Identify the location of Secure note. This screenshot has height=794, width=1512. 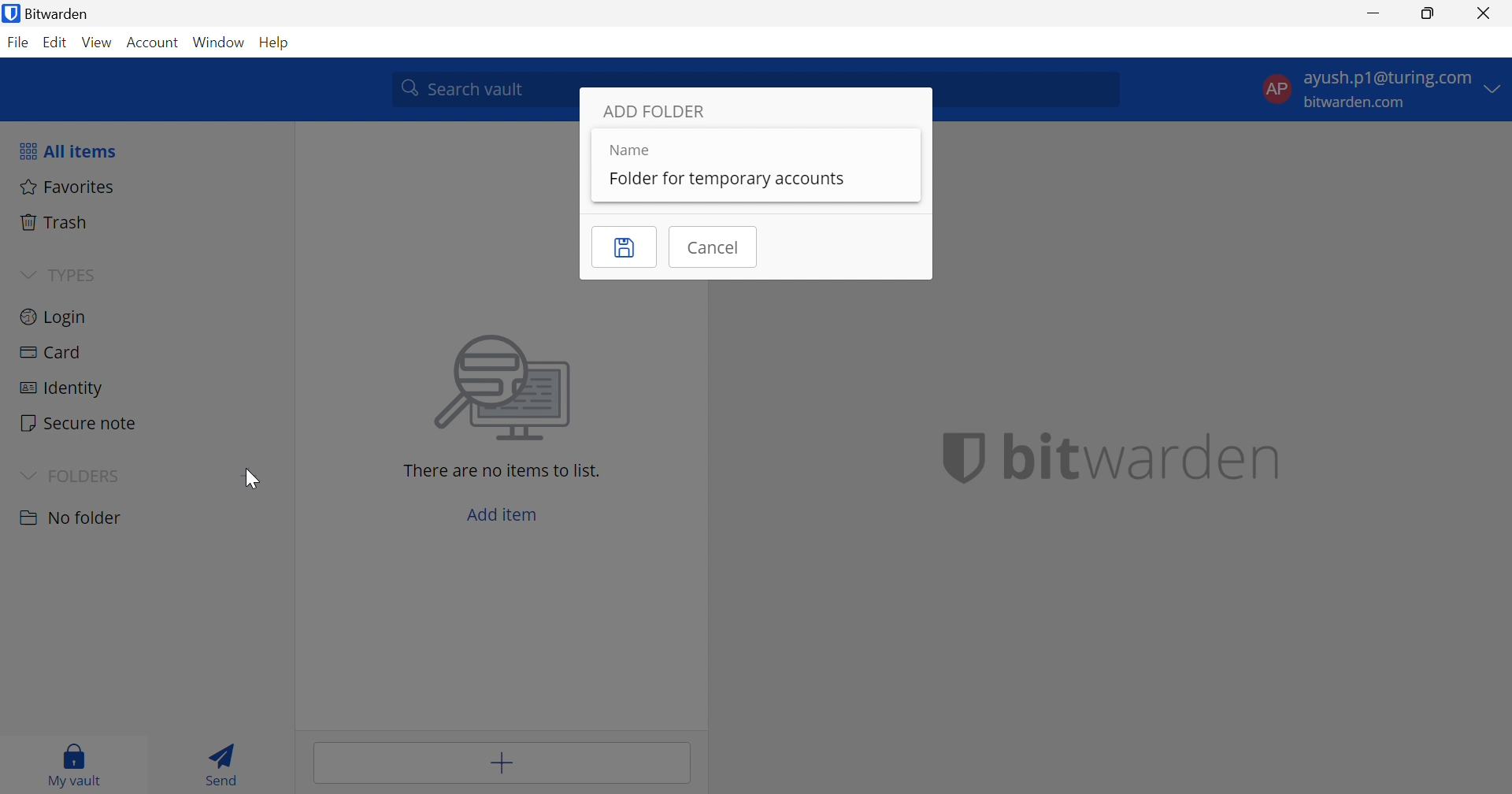
(79, 421).